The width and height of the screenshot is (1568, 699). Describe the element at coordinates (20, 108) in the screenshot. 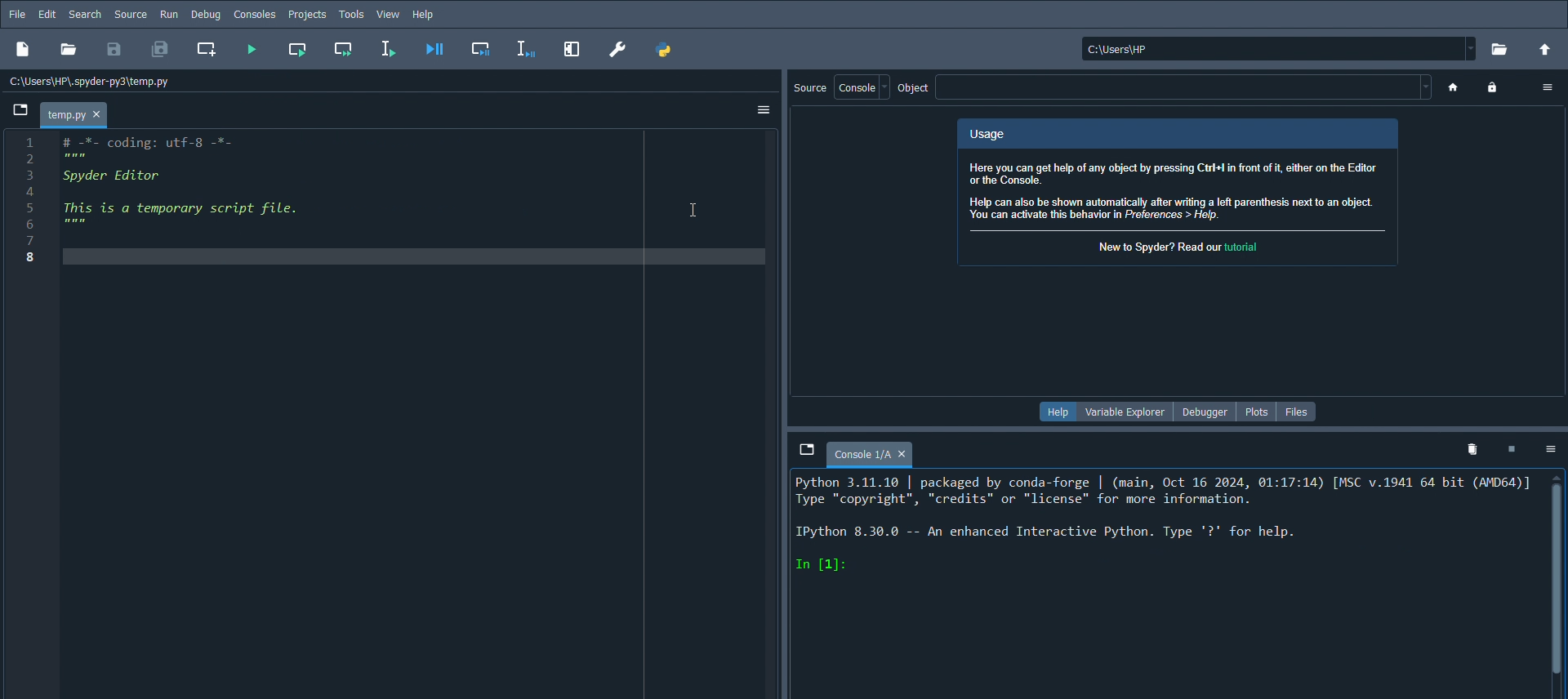

I see `Browse tabs` at that location.